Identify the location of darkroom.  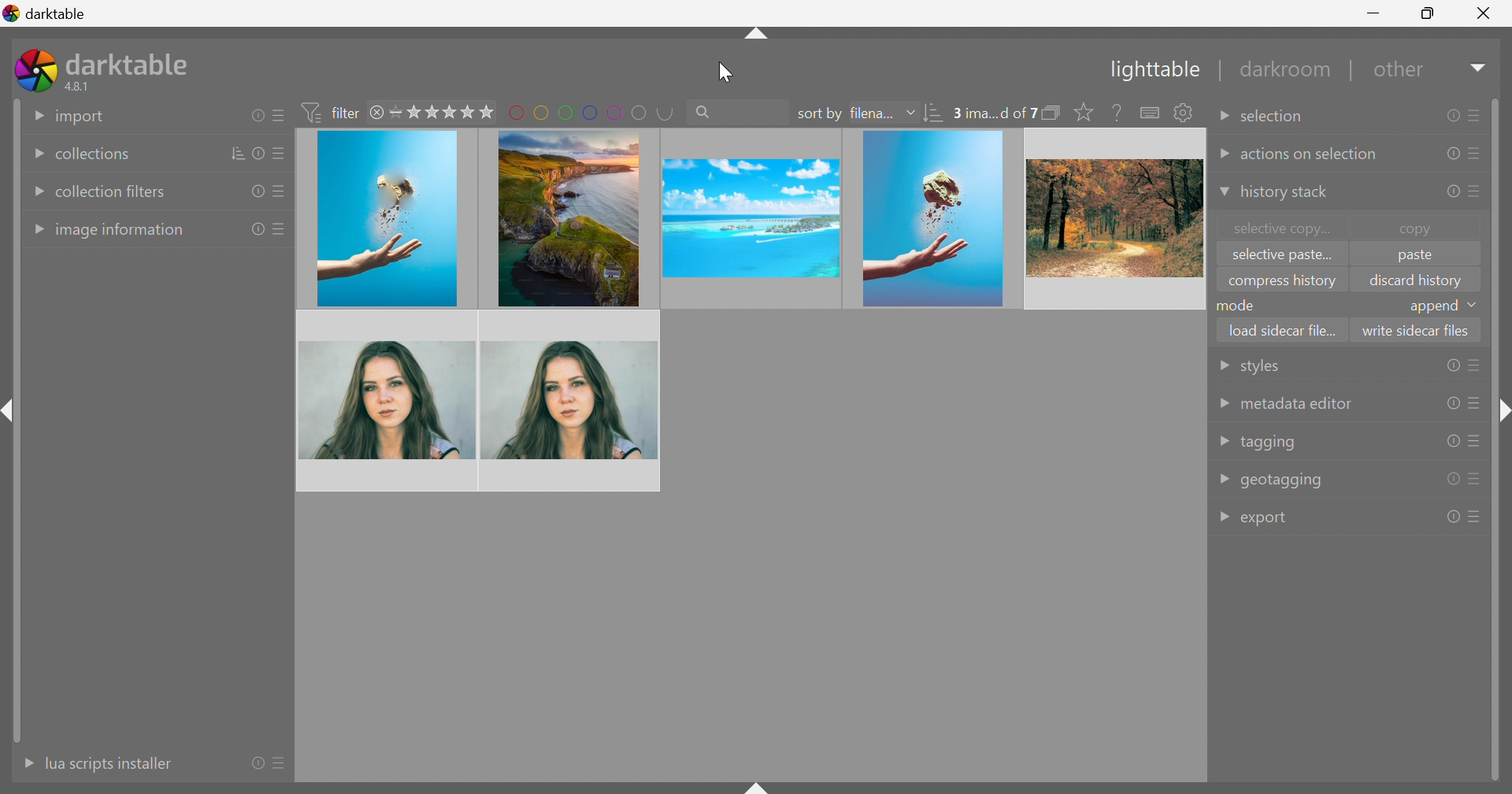
(1288, 70).